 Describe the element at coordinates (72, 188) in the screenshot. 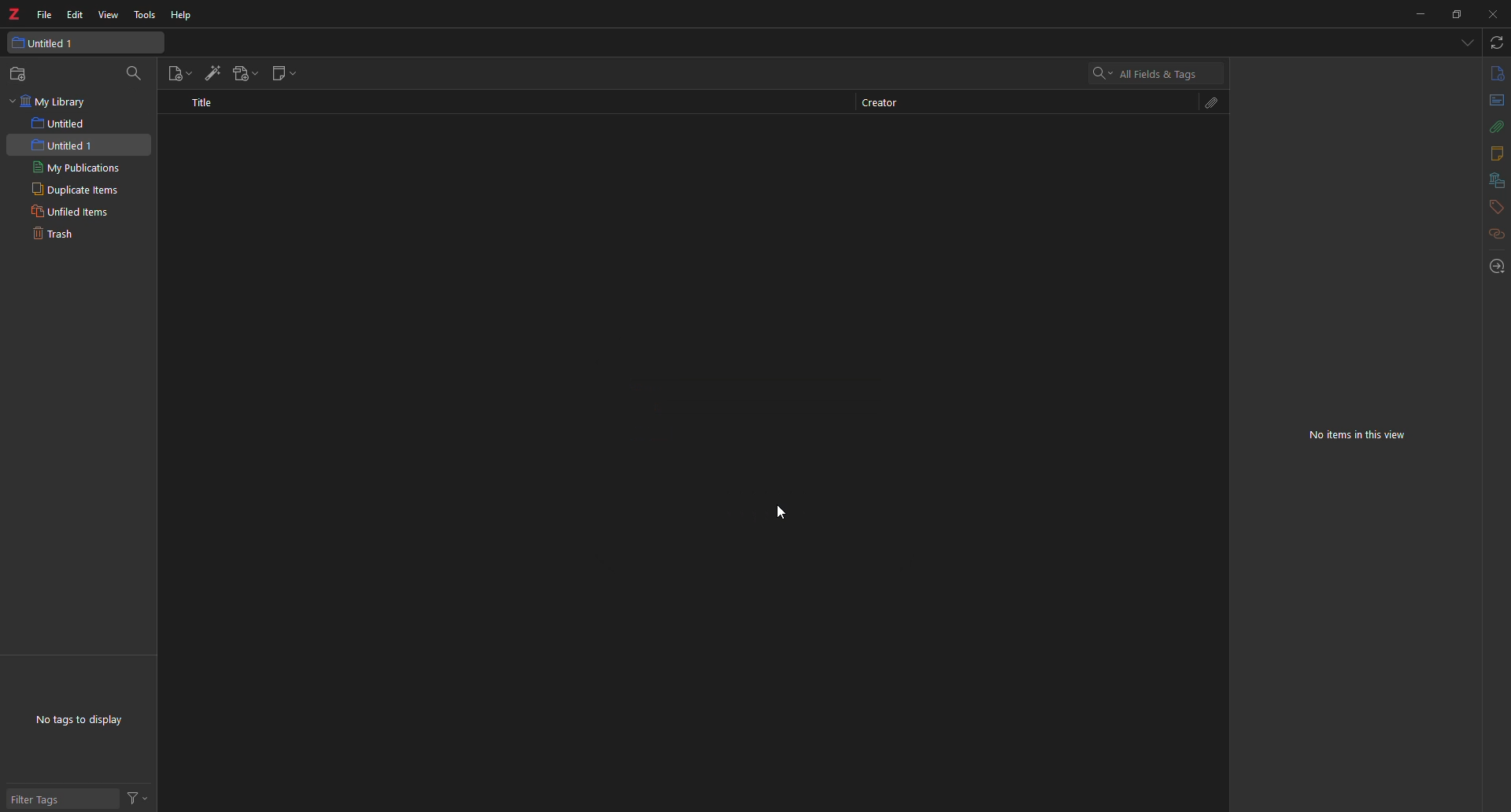

I see `Duplicate items` at that location.